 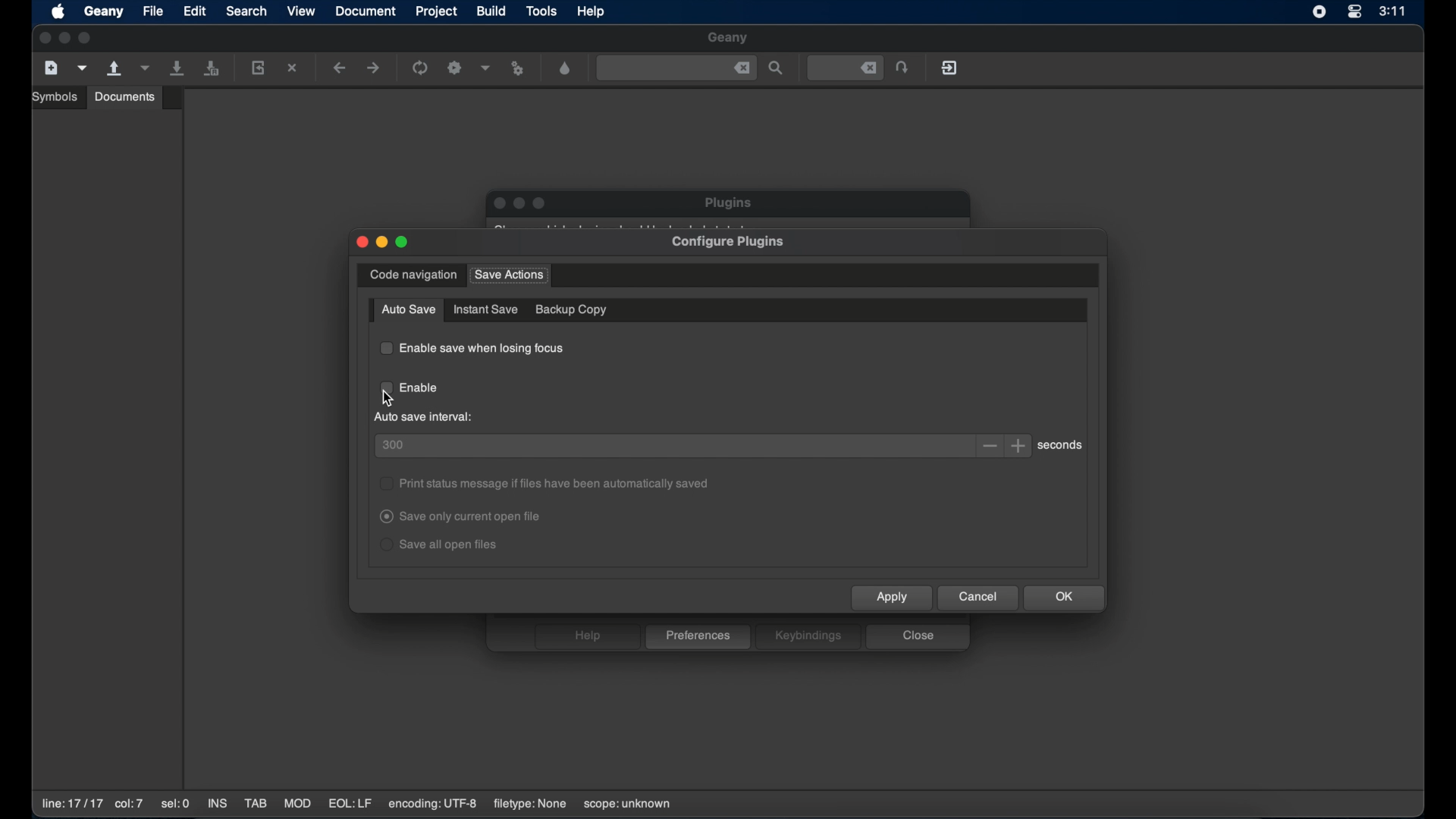 I want to click on control center, so click(x=1354, y=13).